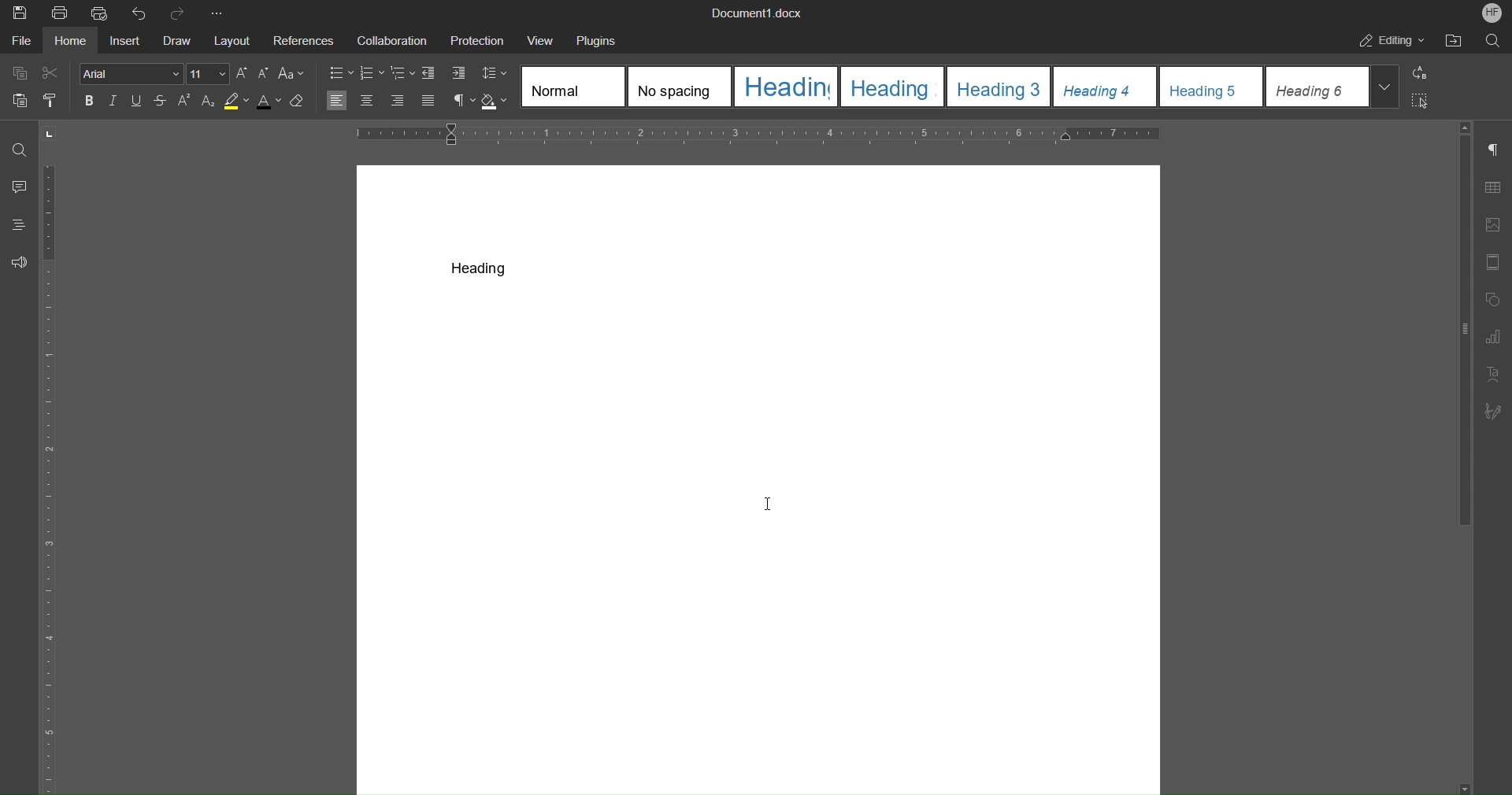  I want to click on Heading 4, so click(1107, 87).